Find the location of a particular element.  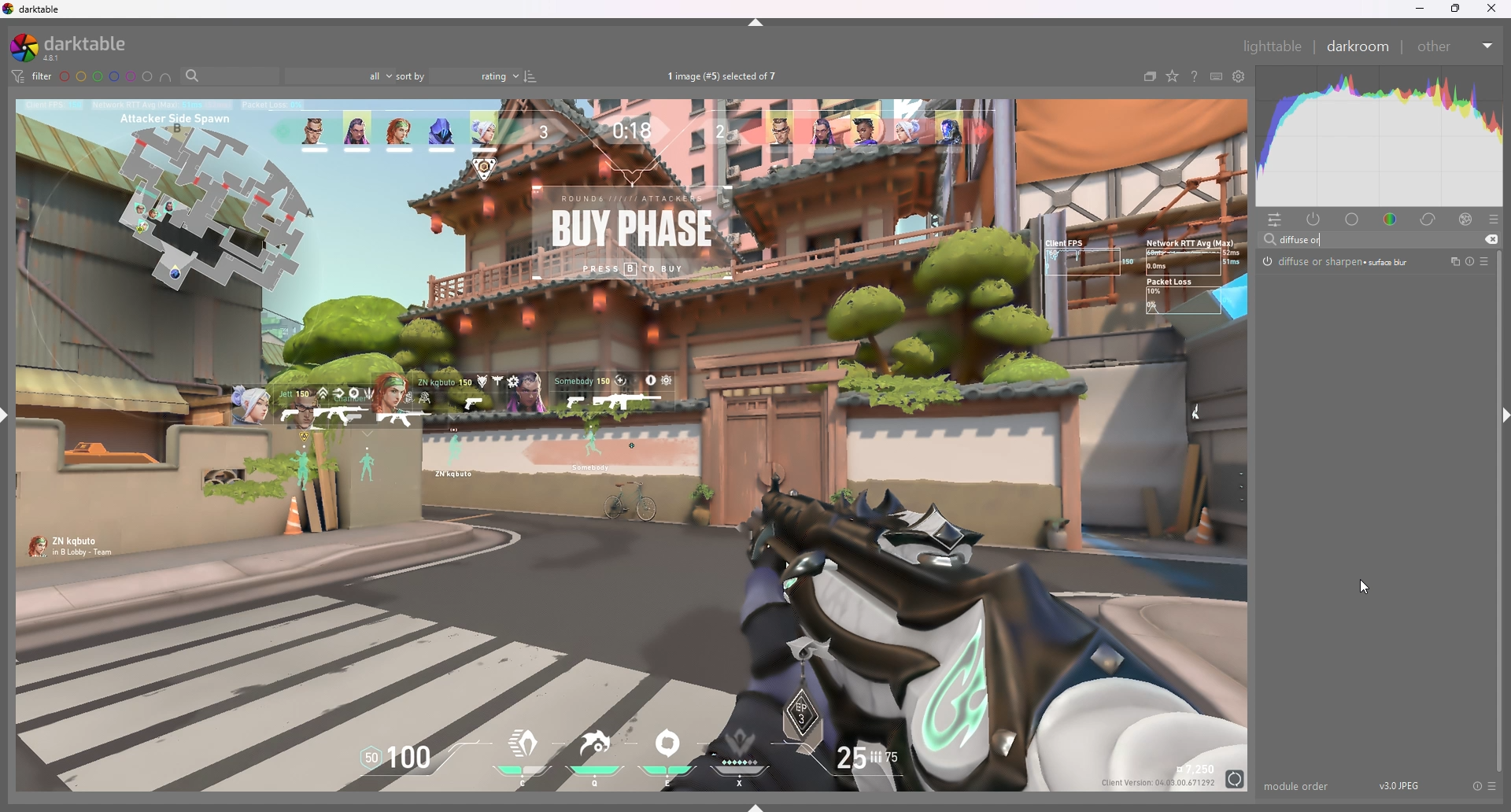

hide is located at coordinates (1502, 417).